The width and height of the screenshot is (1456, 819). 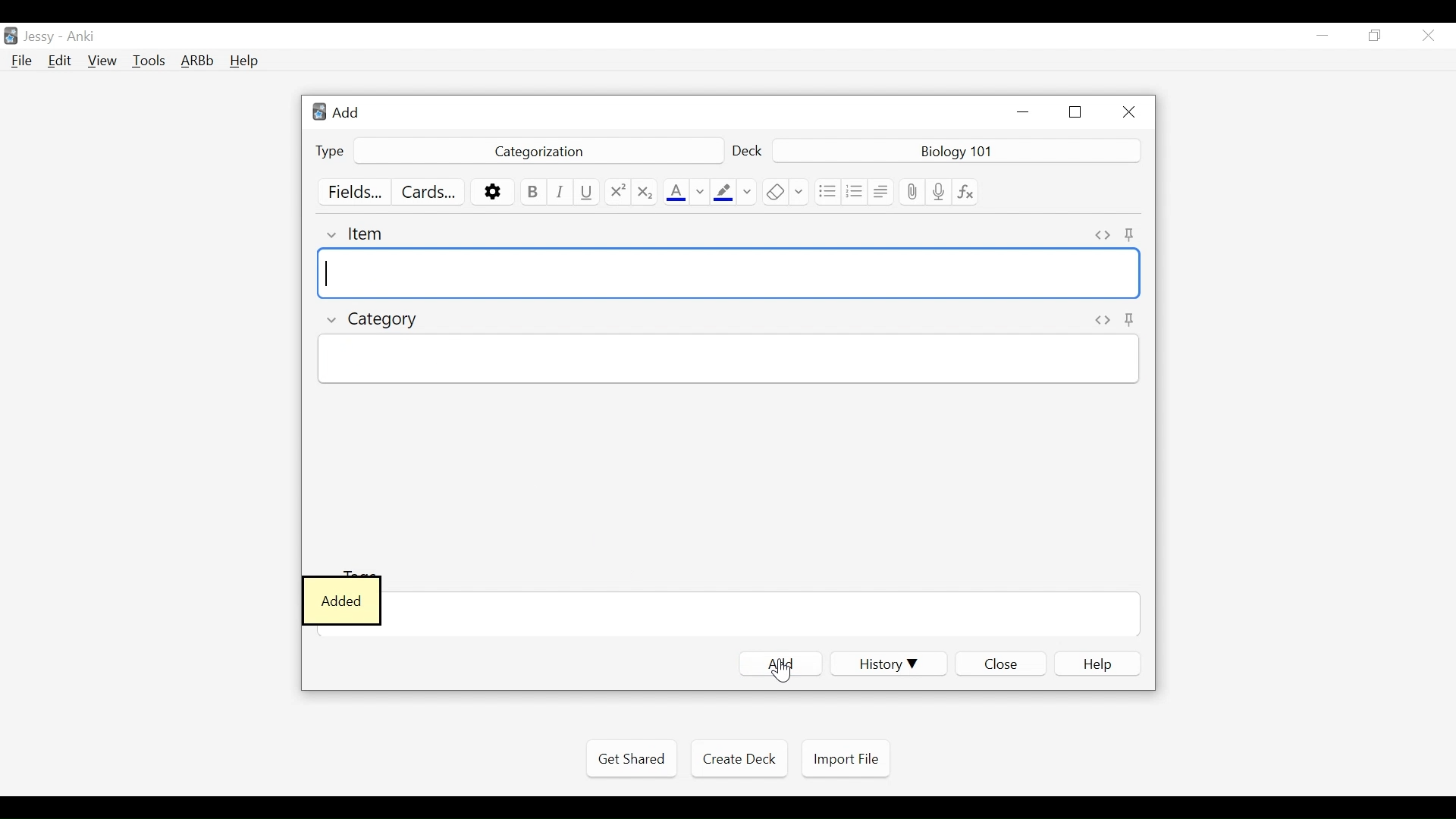 What do you see at coordinates (103, 61) in the screenshot?
I see `View` at bounding box center [103, 61].